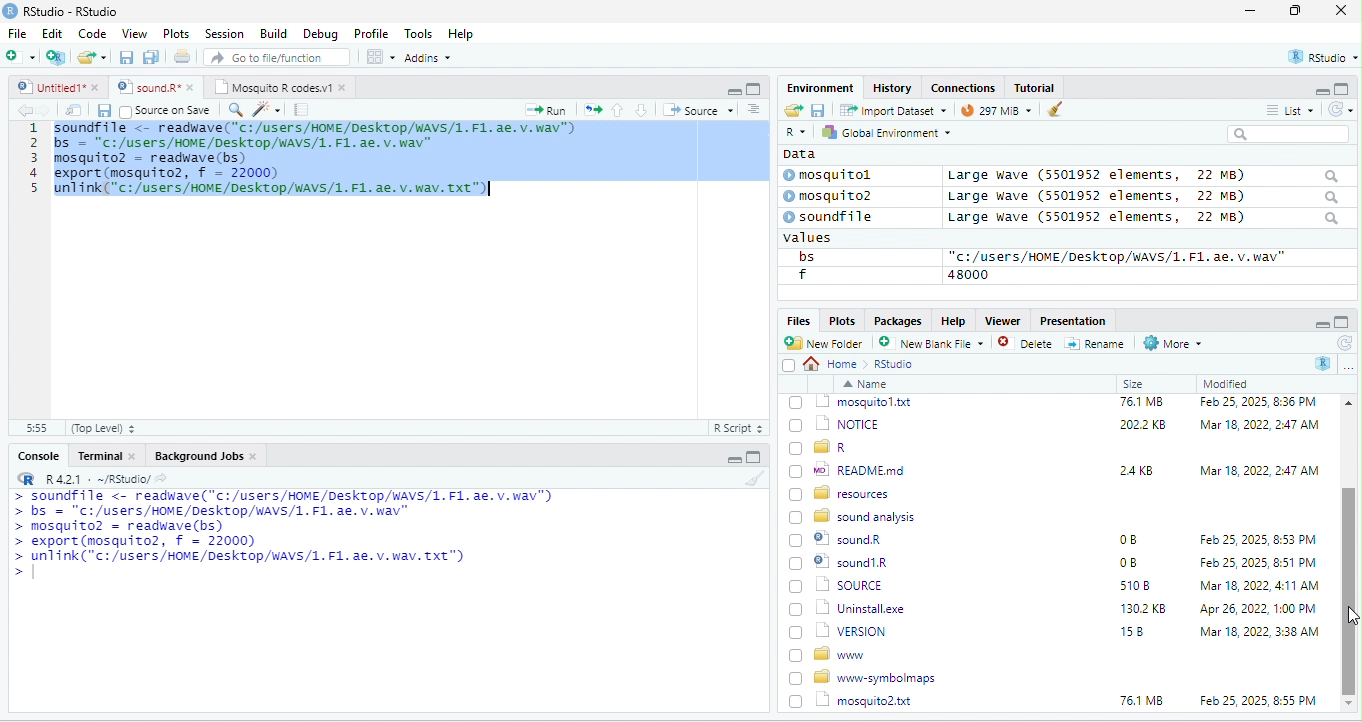 The height and width of the screenshot is (722, 1362). What do you see at coordinates (795, 320) in the screenshot?
I see `Files` at bounding box center [795, 320].